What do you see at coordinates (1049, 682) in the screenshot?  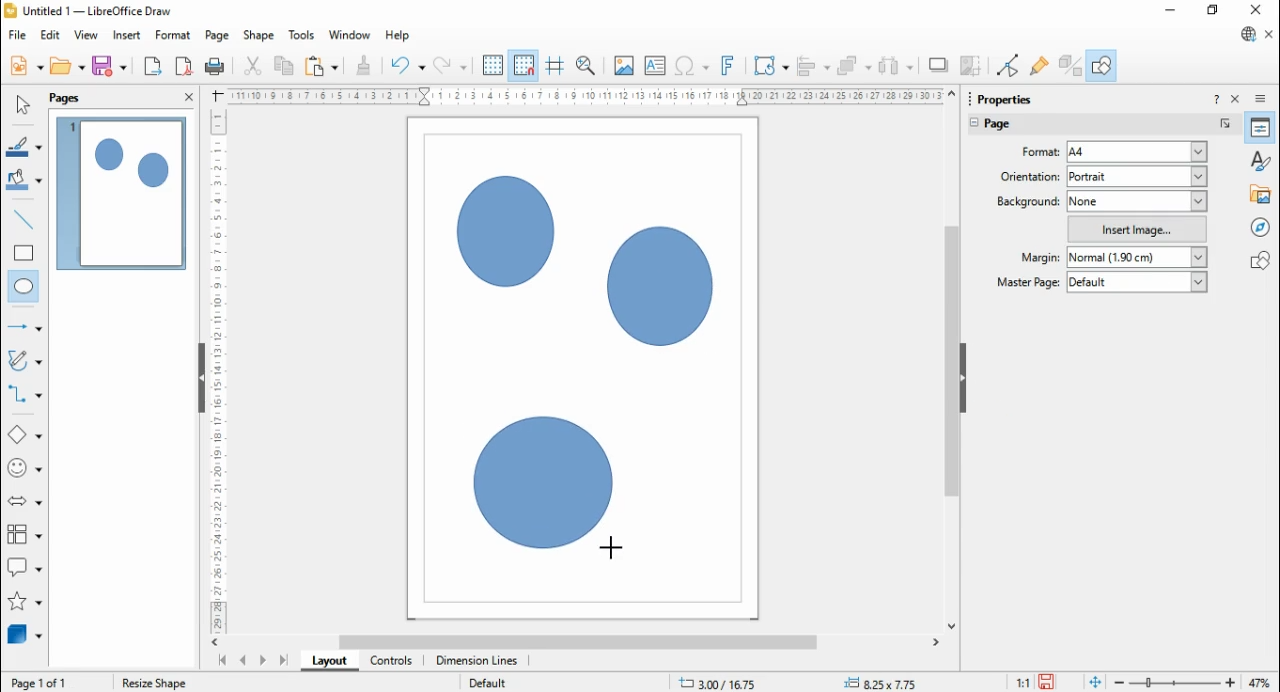 I see `save` at bounding box center [1049, 682].